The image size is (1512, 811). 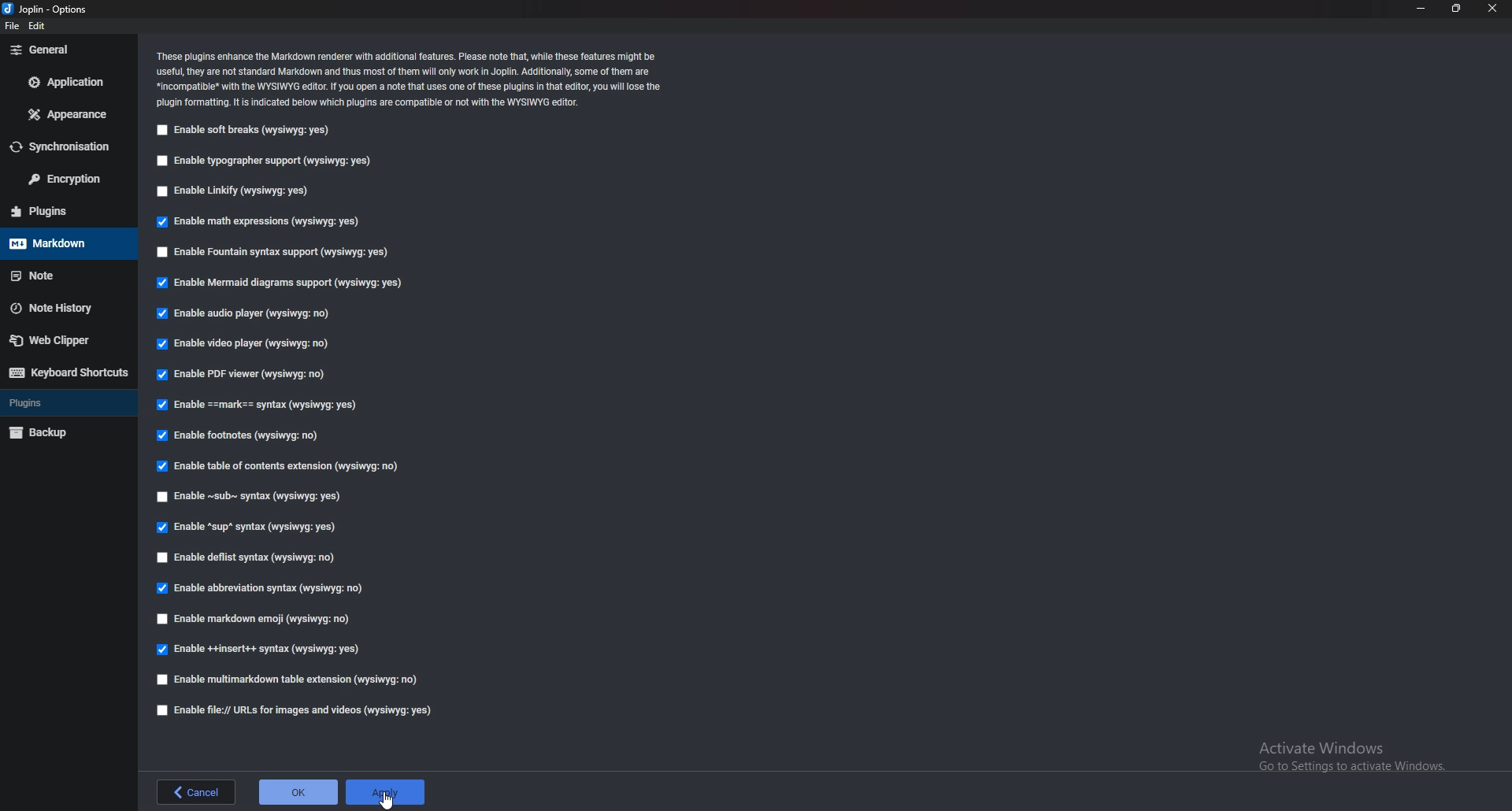 I want to click on Enable P D F viewer, so click(x=243, y=375).